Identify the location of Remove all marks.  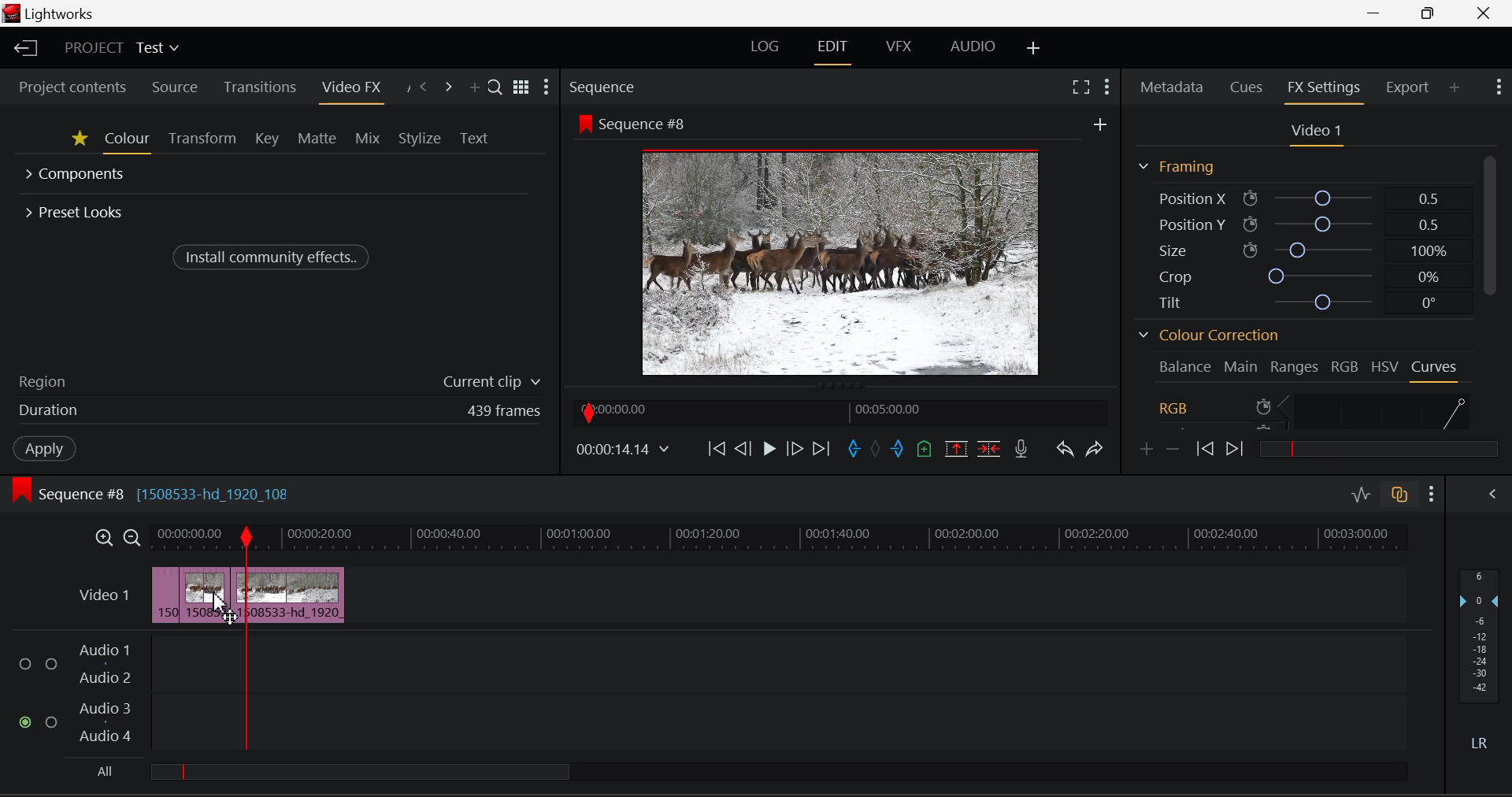
(877, 450).